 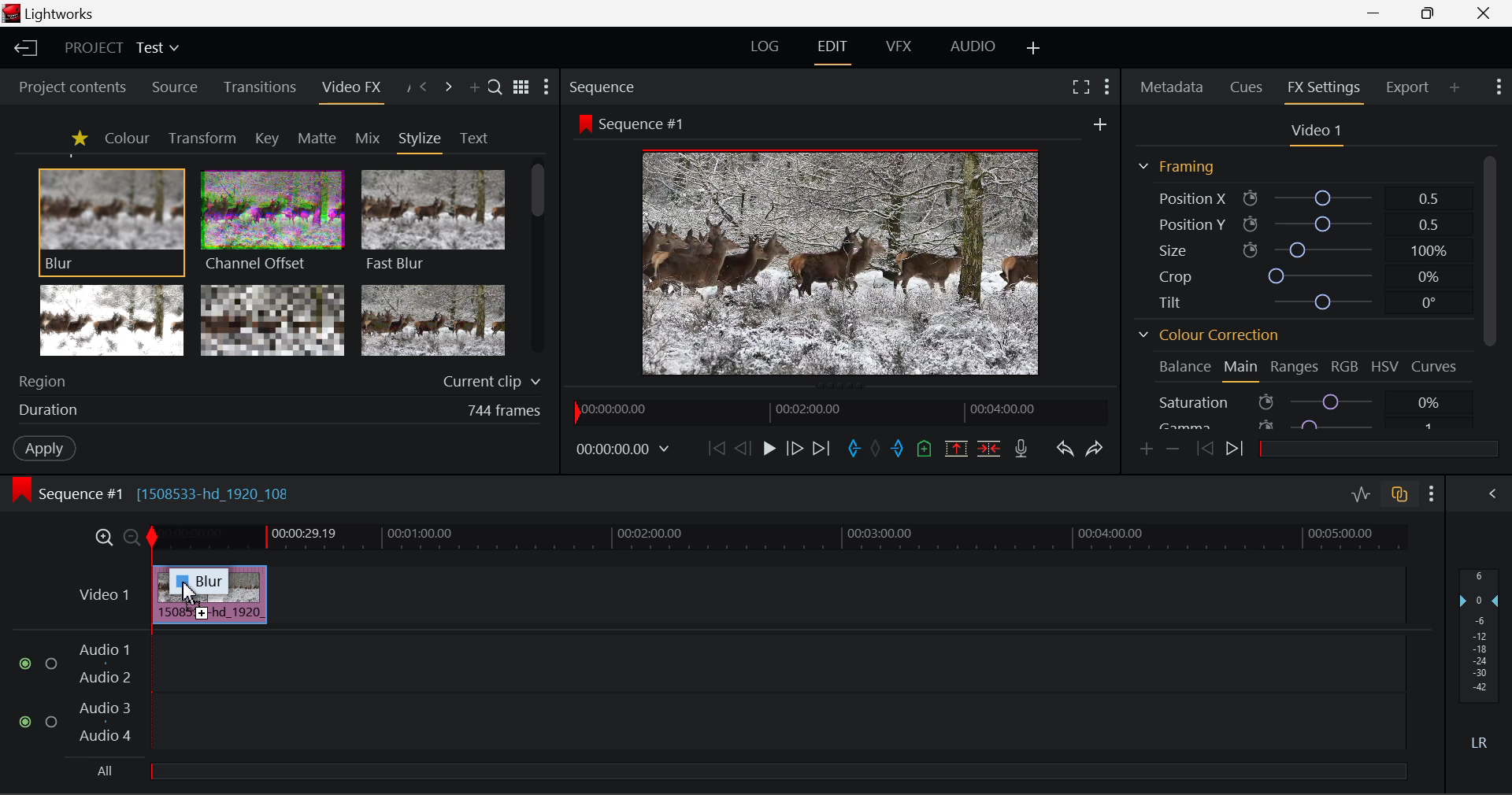 I want to click on Crop, so click(x=1298, y=274).